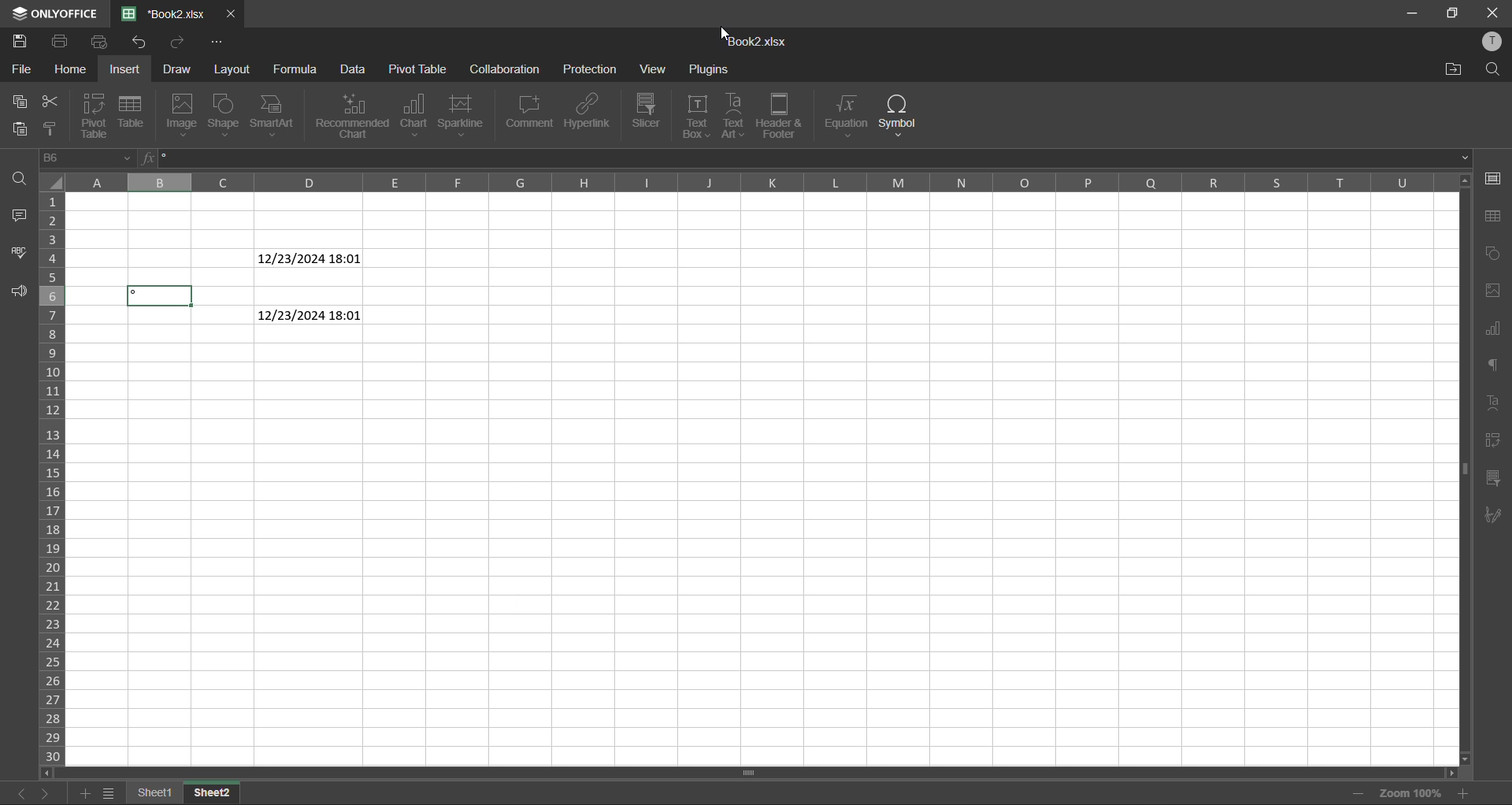 This screenshot has height=805, width=1512. Describe the element at coordinates (112, 794) in the screenshot. I see `sheet list` at that location.